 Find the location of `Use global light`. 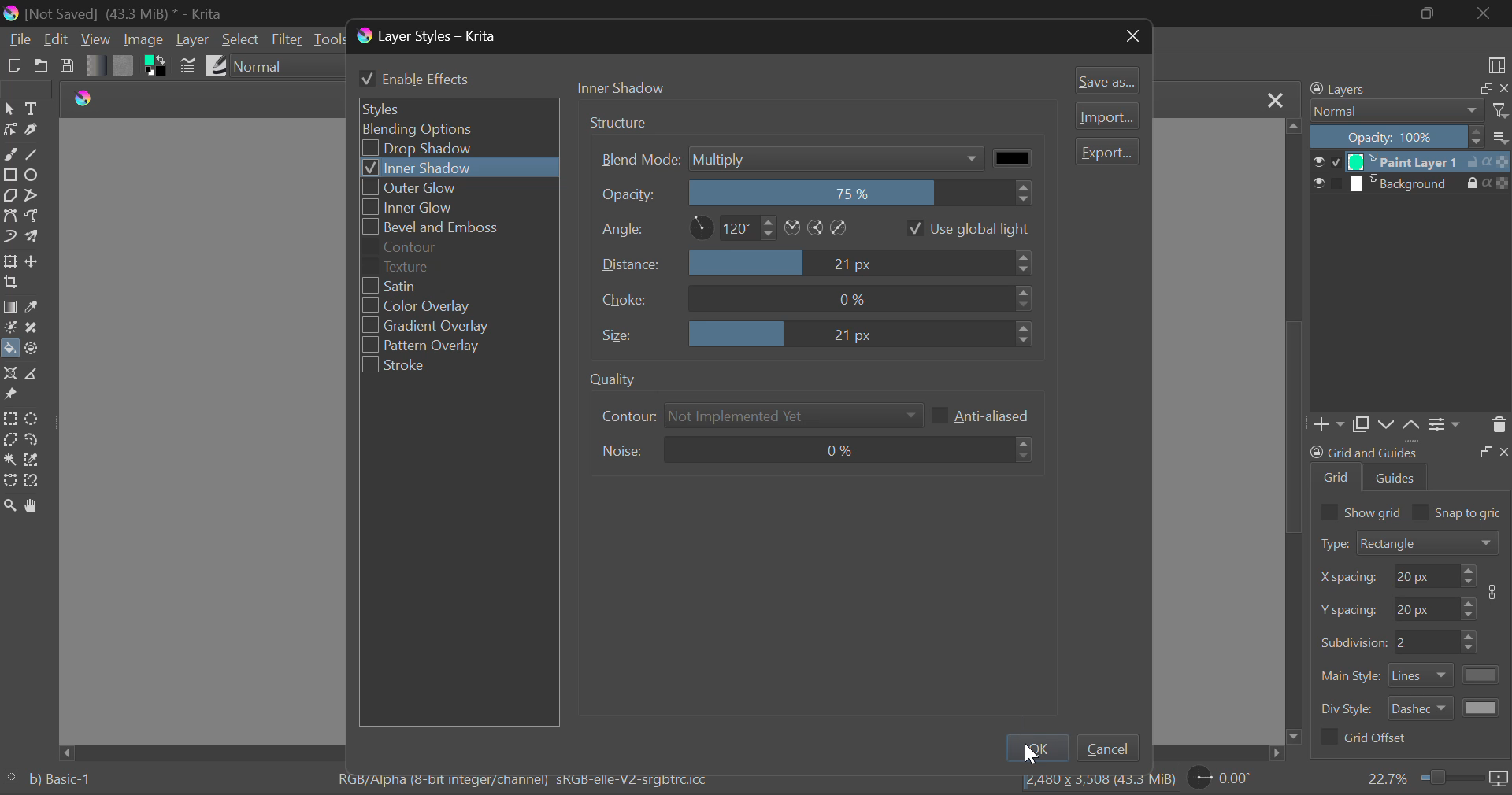

Use global light is located at coordinates (968, 227).